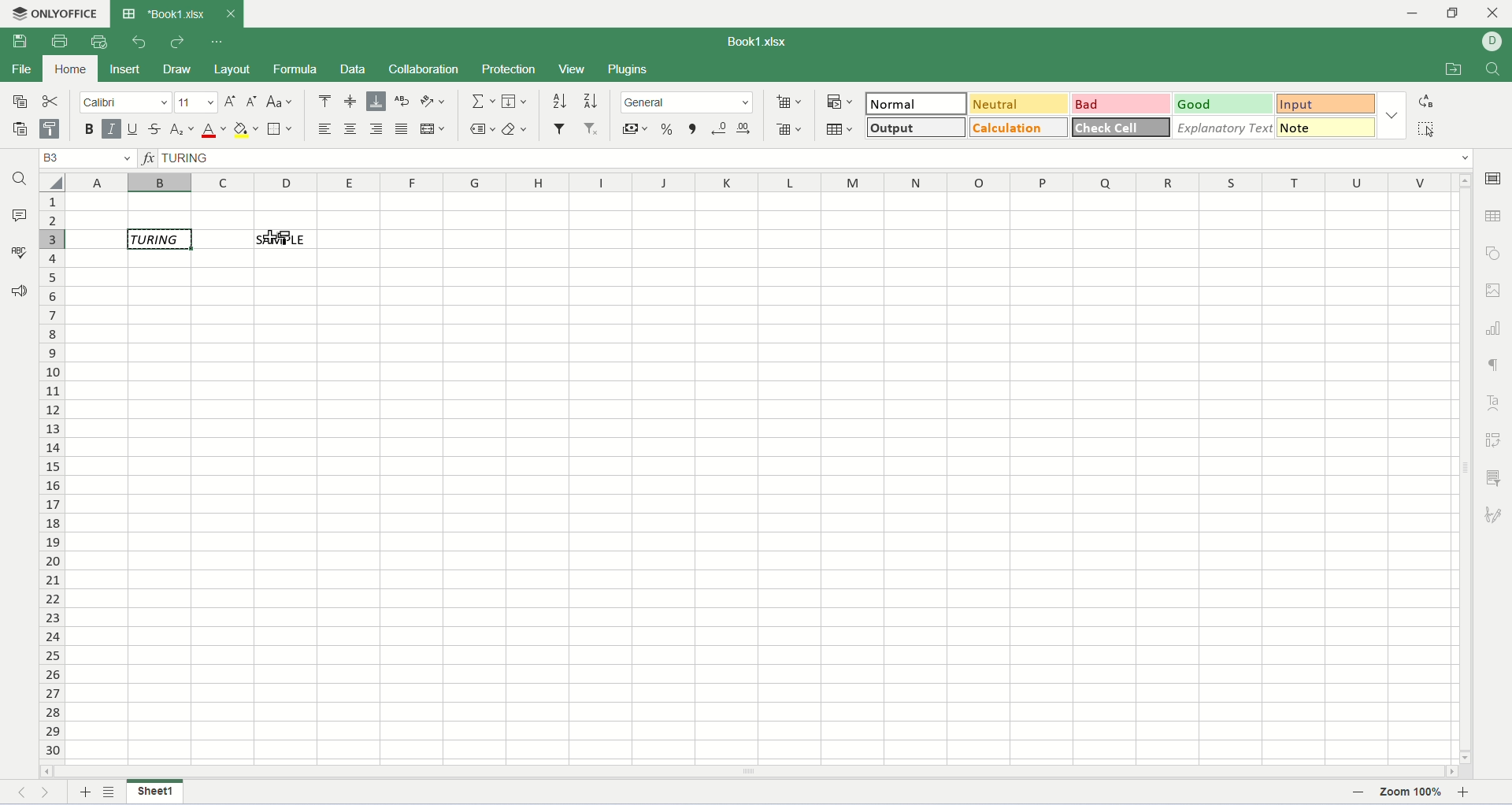 The image size is (1512, 805). I want to click on cut, so click(52, 100).